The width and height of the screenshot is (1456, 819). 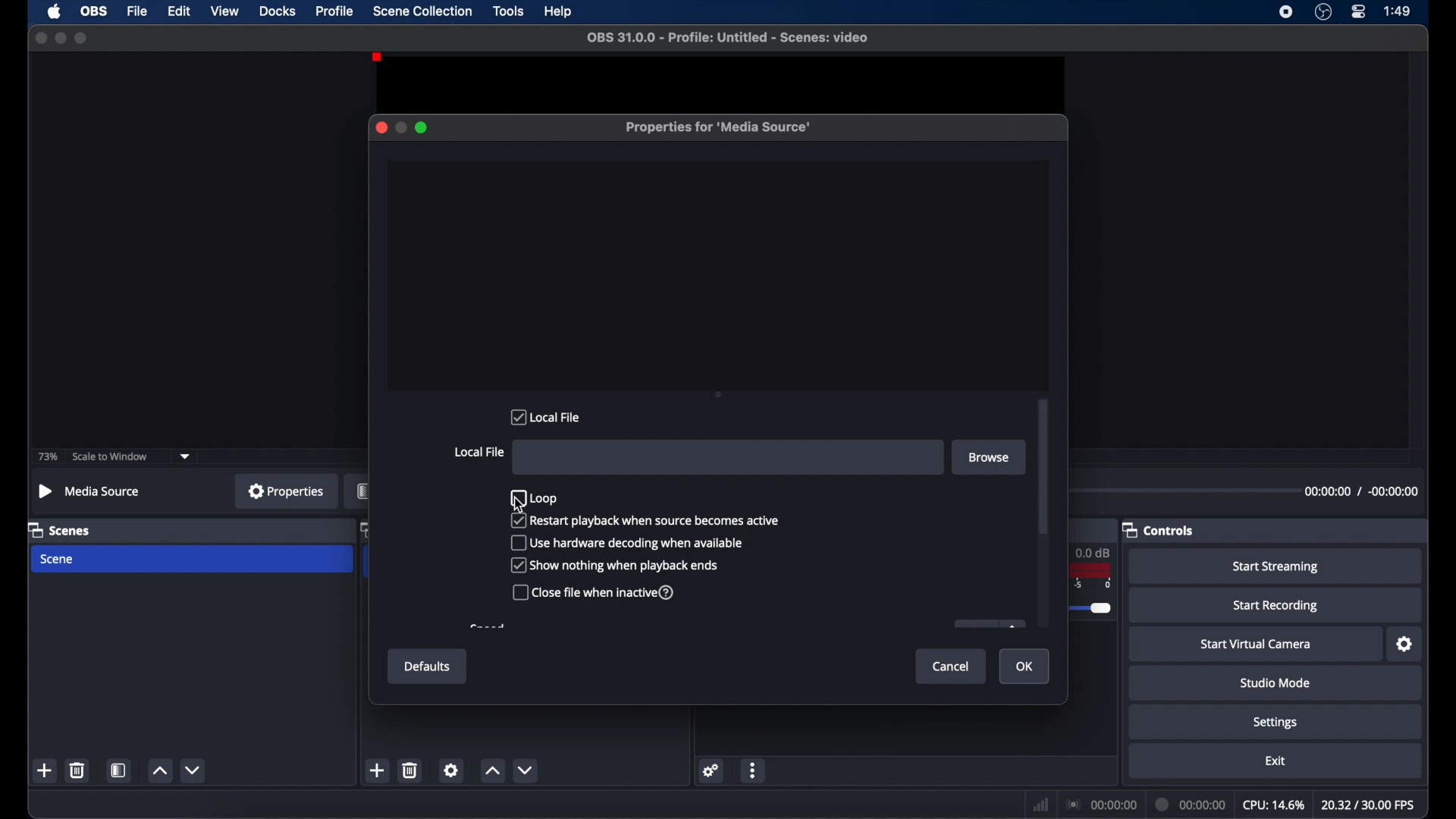 What do you see at coordinates (1360, 494) in the screenshot?
I see `timestamp` at bounding box center [1360, 494].